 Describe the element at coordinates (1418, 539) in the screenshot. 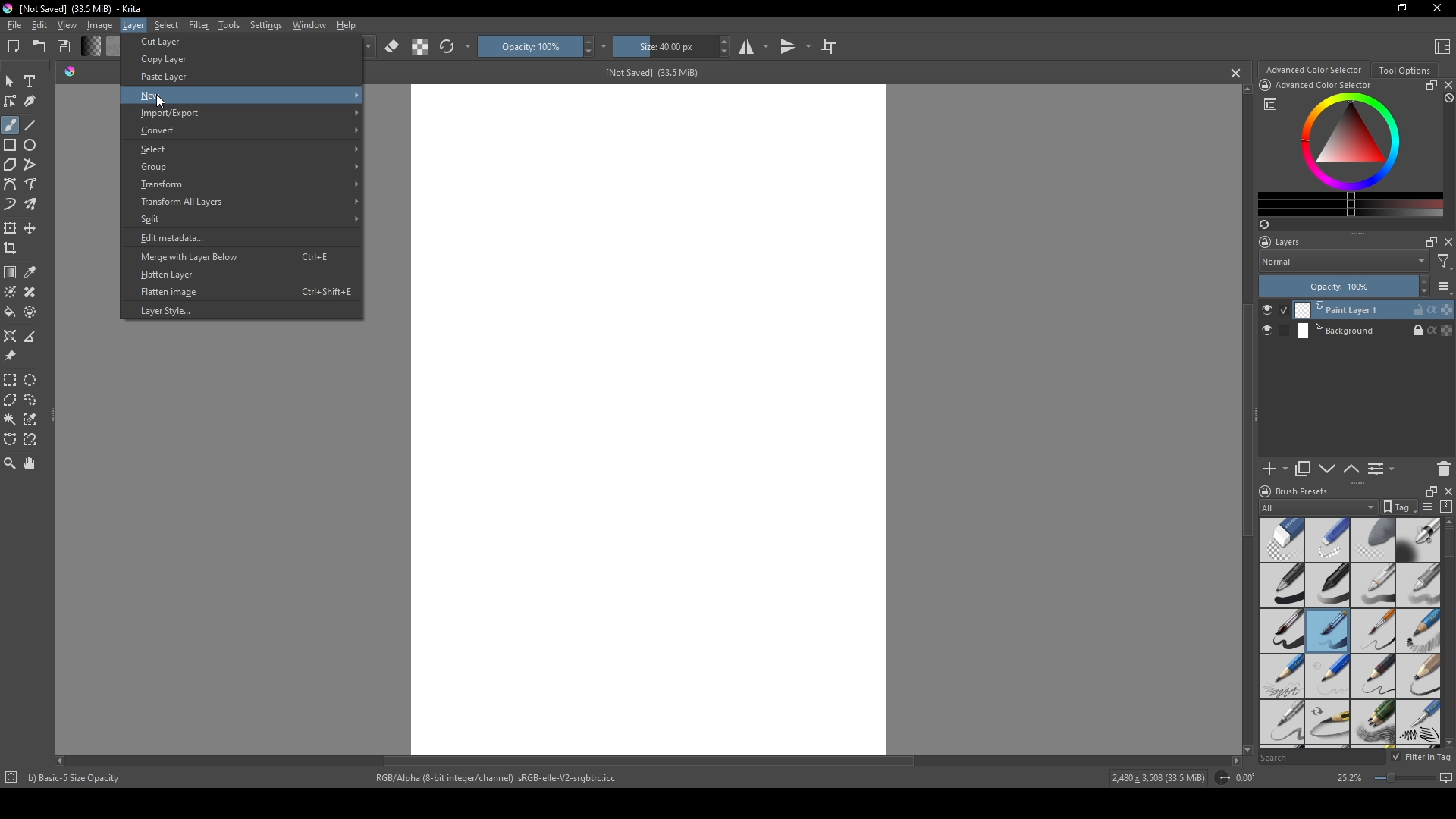

I see `blending tool` at that location.